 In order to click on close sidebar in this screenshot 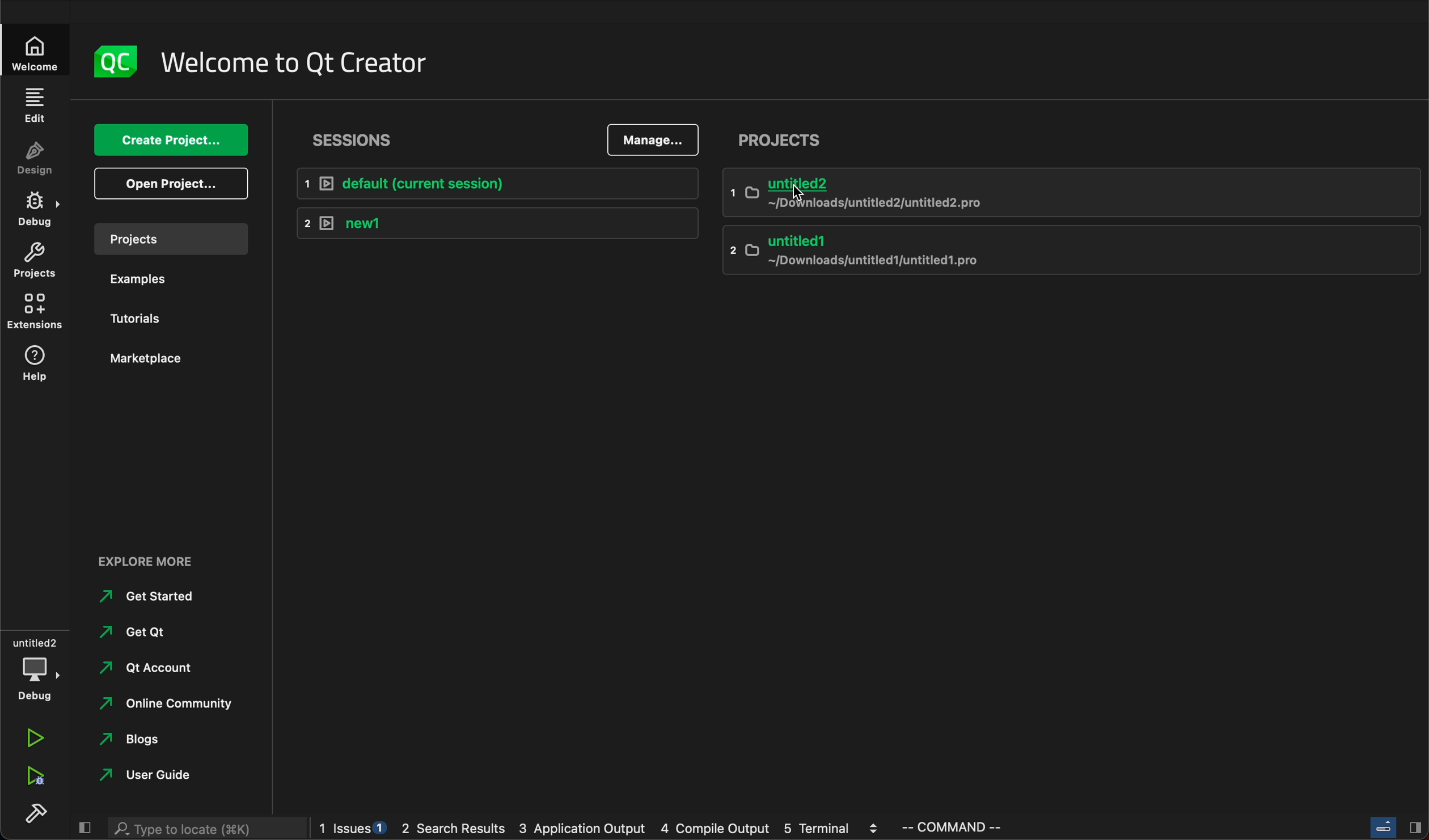, I will do `click(88, 829)`.